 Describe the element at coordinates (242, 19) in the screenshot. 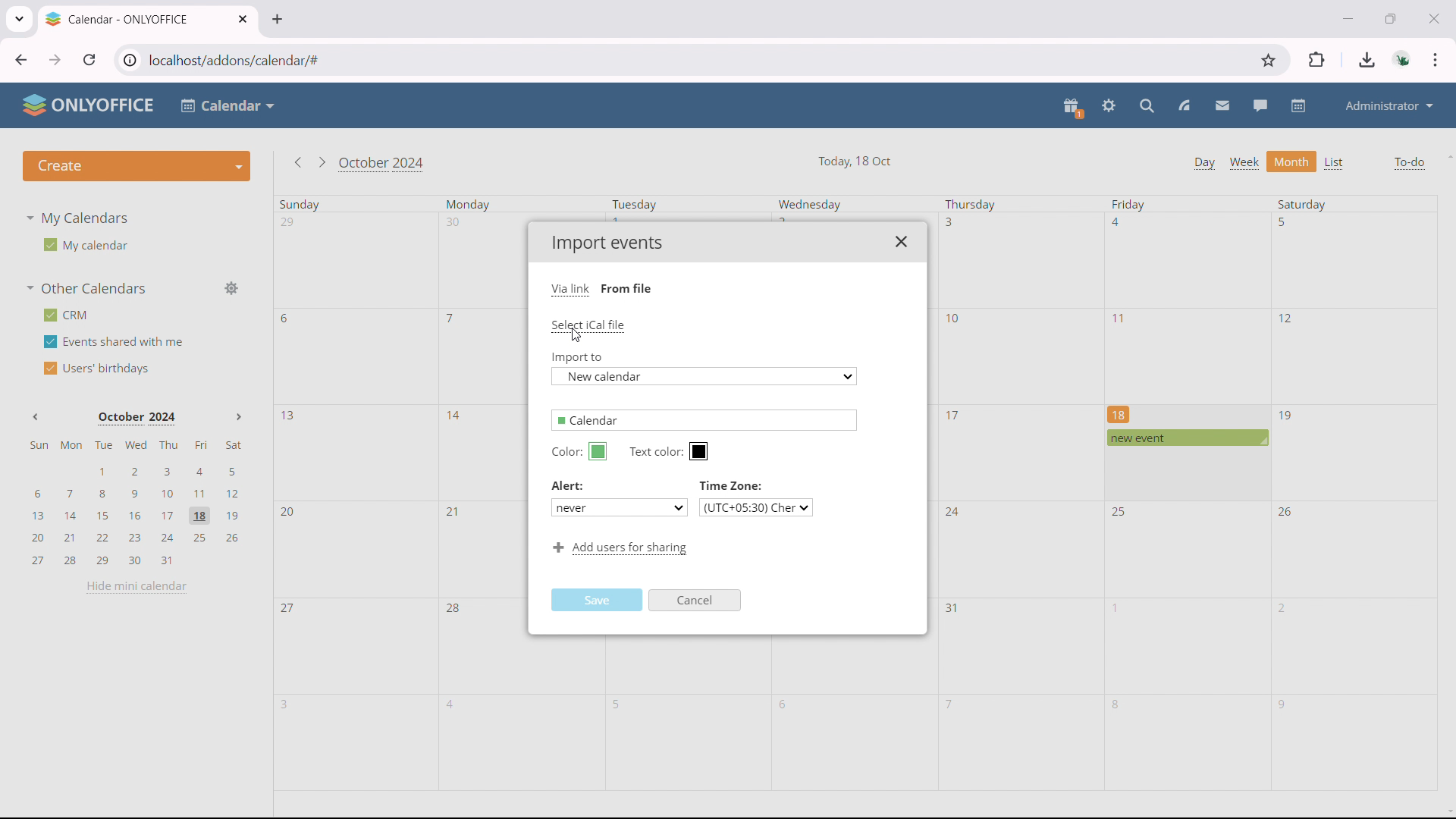

I see `close tab` at that location.